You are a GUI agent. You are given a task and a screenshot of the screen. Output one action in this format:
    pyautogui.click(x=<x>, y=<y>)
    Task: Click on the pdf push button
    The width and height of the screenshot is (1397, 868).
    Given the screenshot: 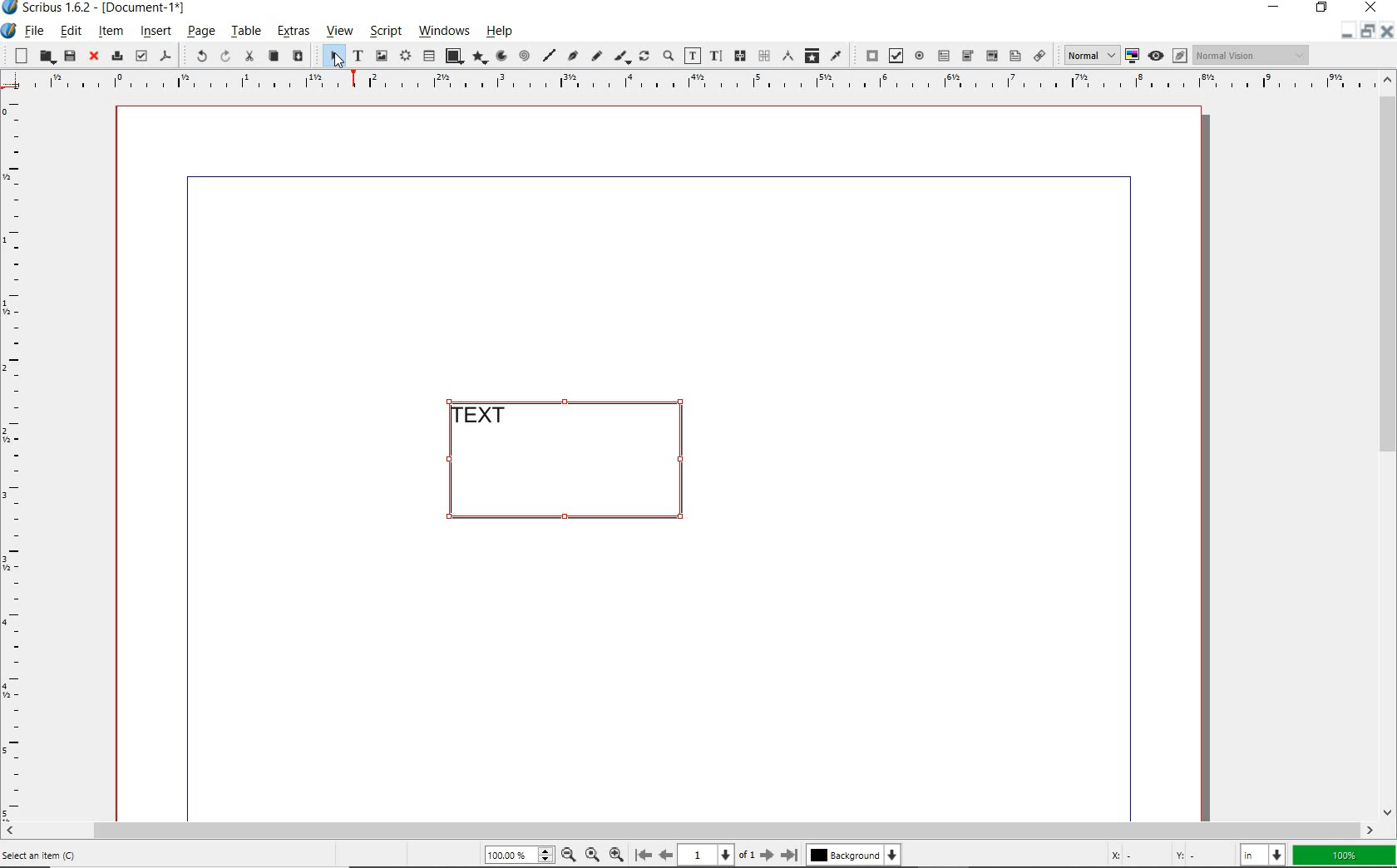 What is the action you would take?
    pyautogui.click(x=867, y=55)
    